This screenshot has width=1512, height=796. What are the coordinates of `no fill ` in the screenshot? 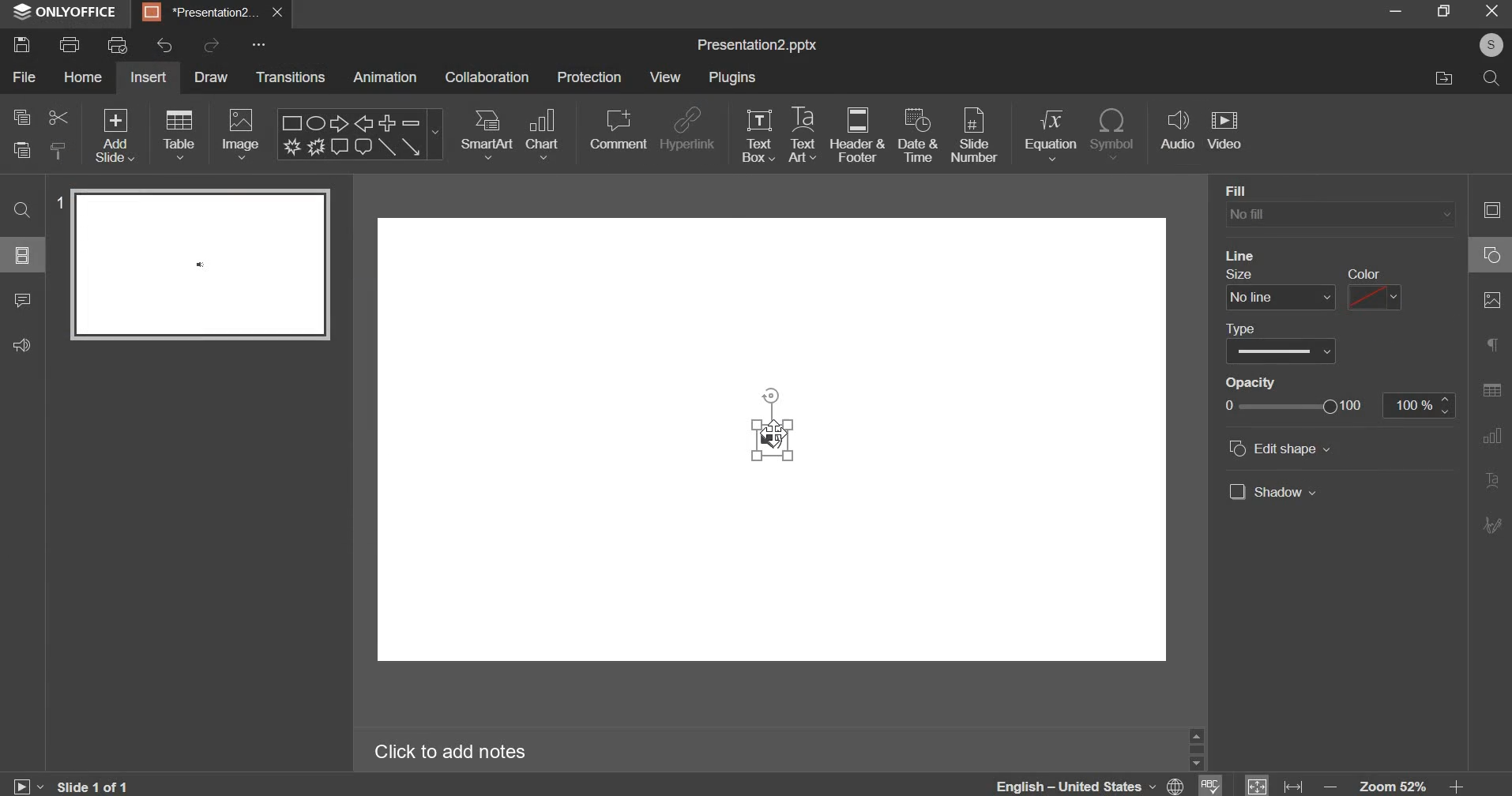 It's located at (1340, 216).